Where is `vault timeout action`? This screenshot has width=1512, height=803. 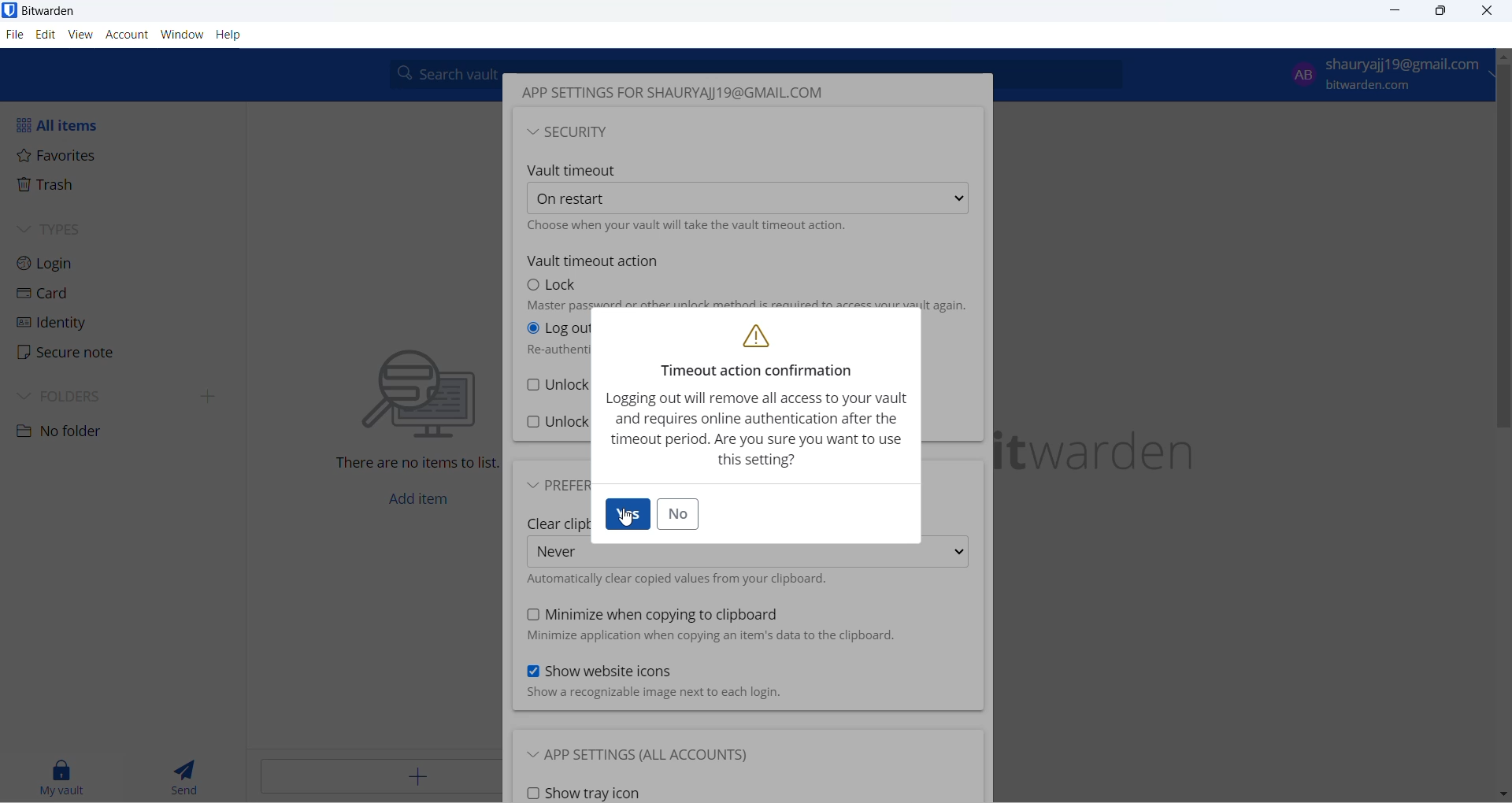
vault timeout action is located at coordinates (606, 259).